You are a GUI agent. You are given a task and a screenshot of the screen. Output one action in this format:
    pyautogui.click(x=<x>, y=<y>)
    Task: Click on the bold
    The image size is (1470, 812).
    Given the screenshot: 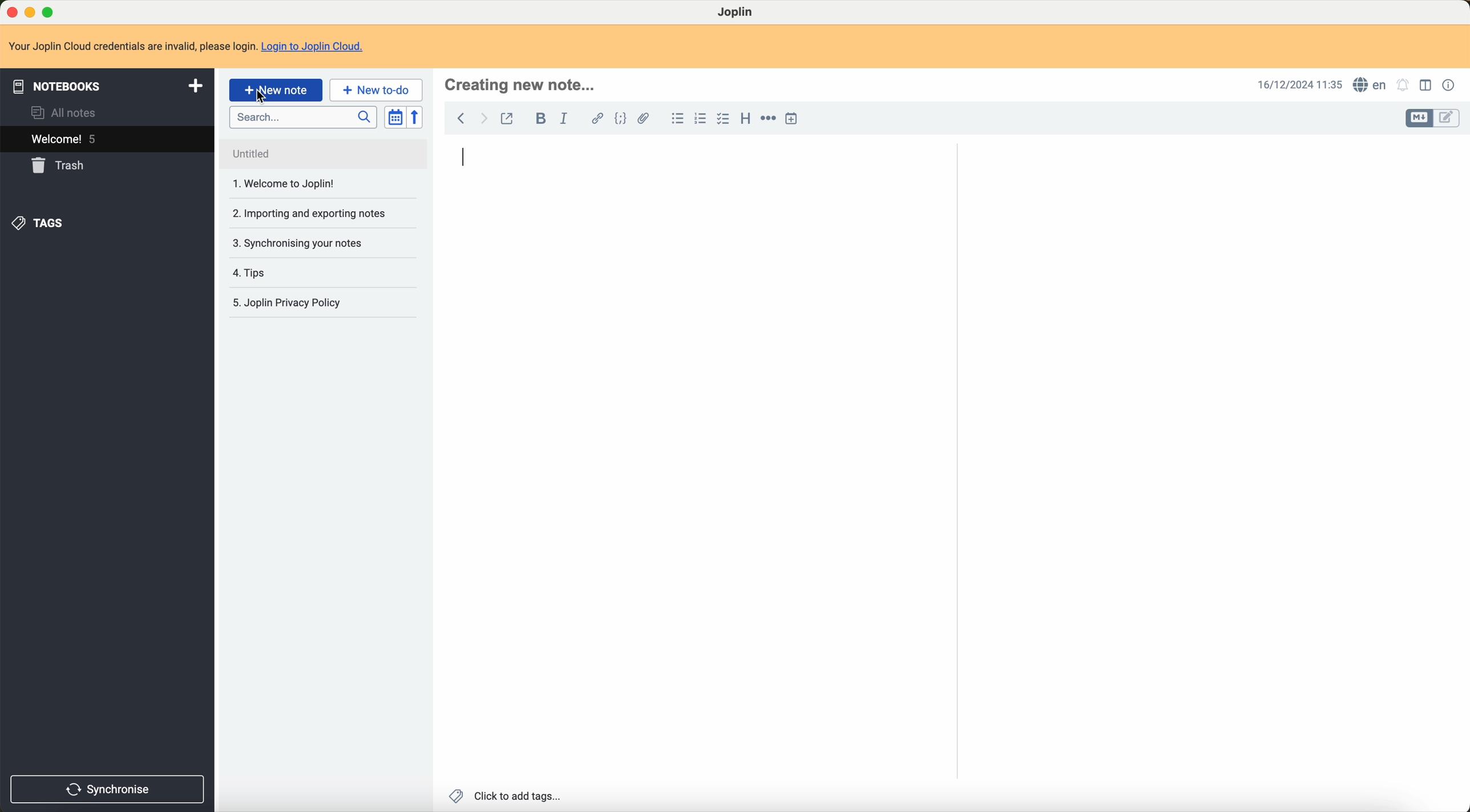 What is the action you would take?
    pyautogui.click(x=538, y=118)
    